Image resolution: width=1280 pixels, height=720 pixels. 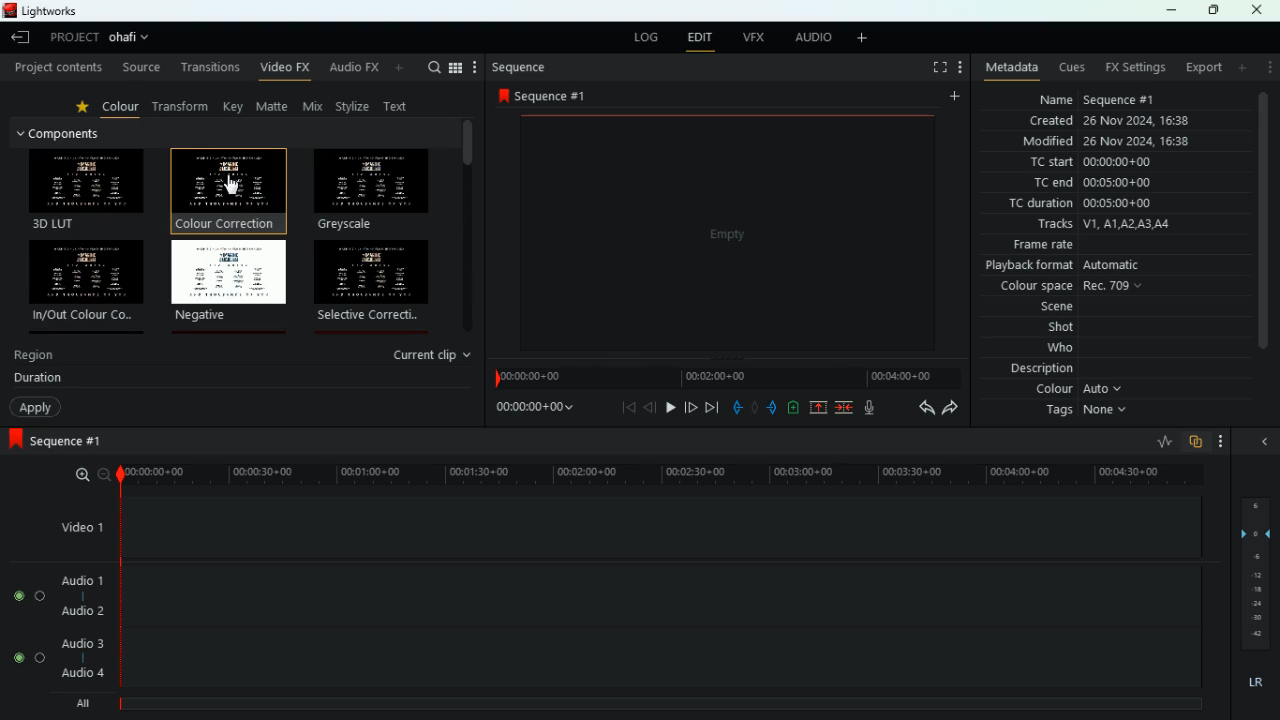 I want to click on favorite, so click(x=86, y=109).